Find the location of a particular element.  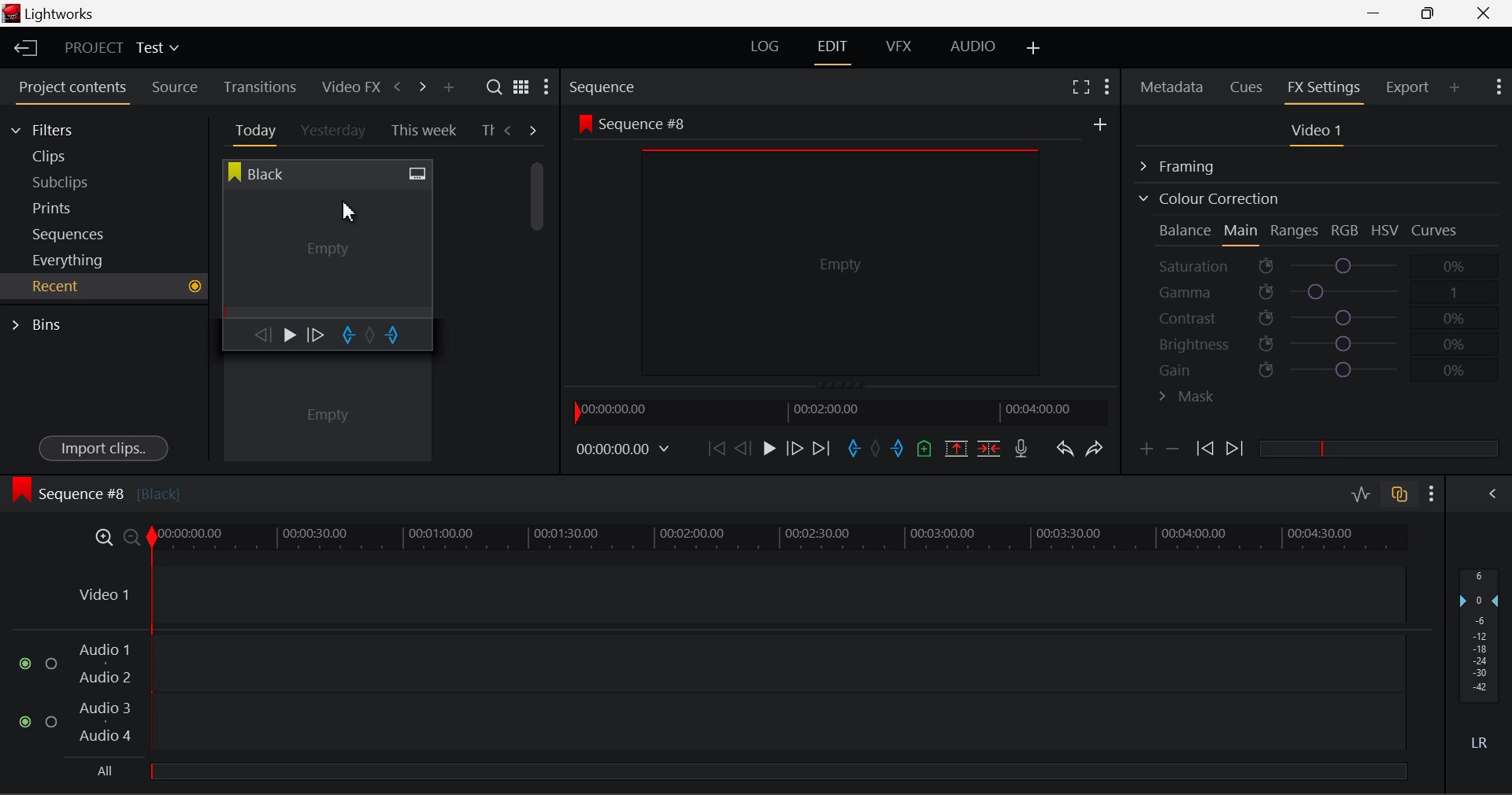

Redo is located at coordinates (1095, 448).